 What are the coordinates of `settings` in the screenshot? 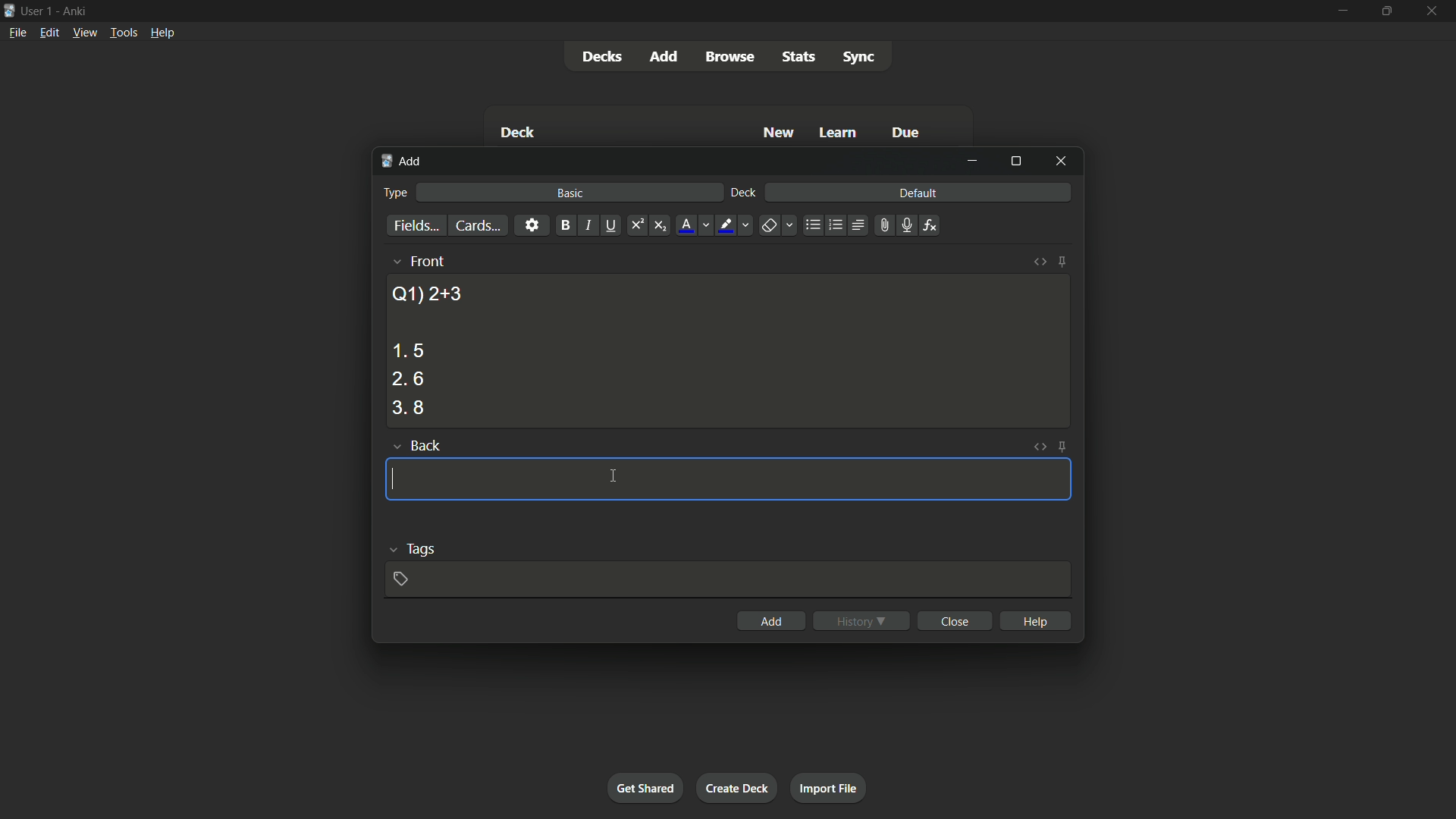 It's located at (532, 224).